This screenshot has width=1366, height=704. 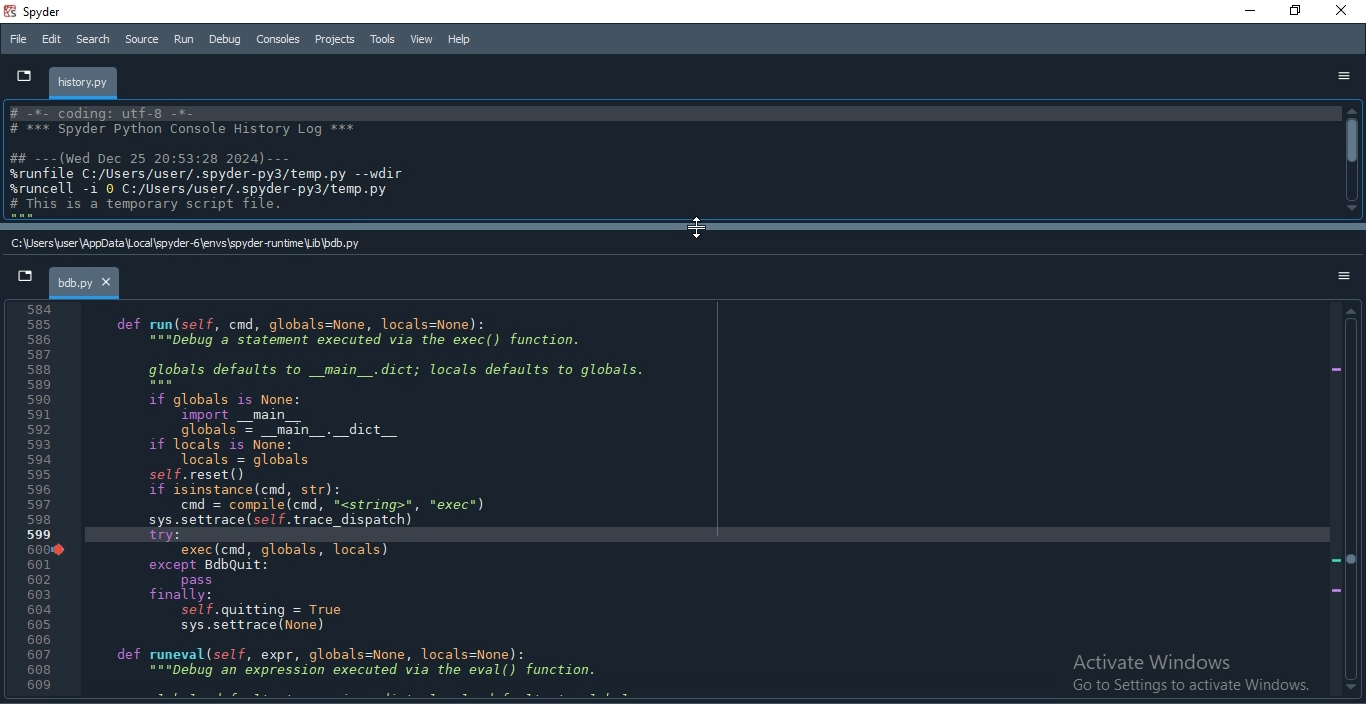 I want to click on code, so click(x=381, y=499).